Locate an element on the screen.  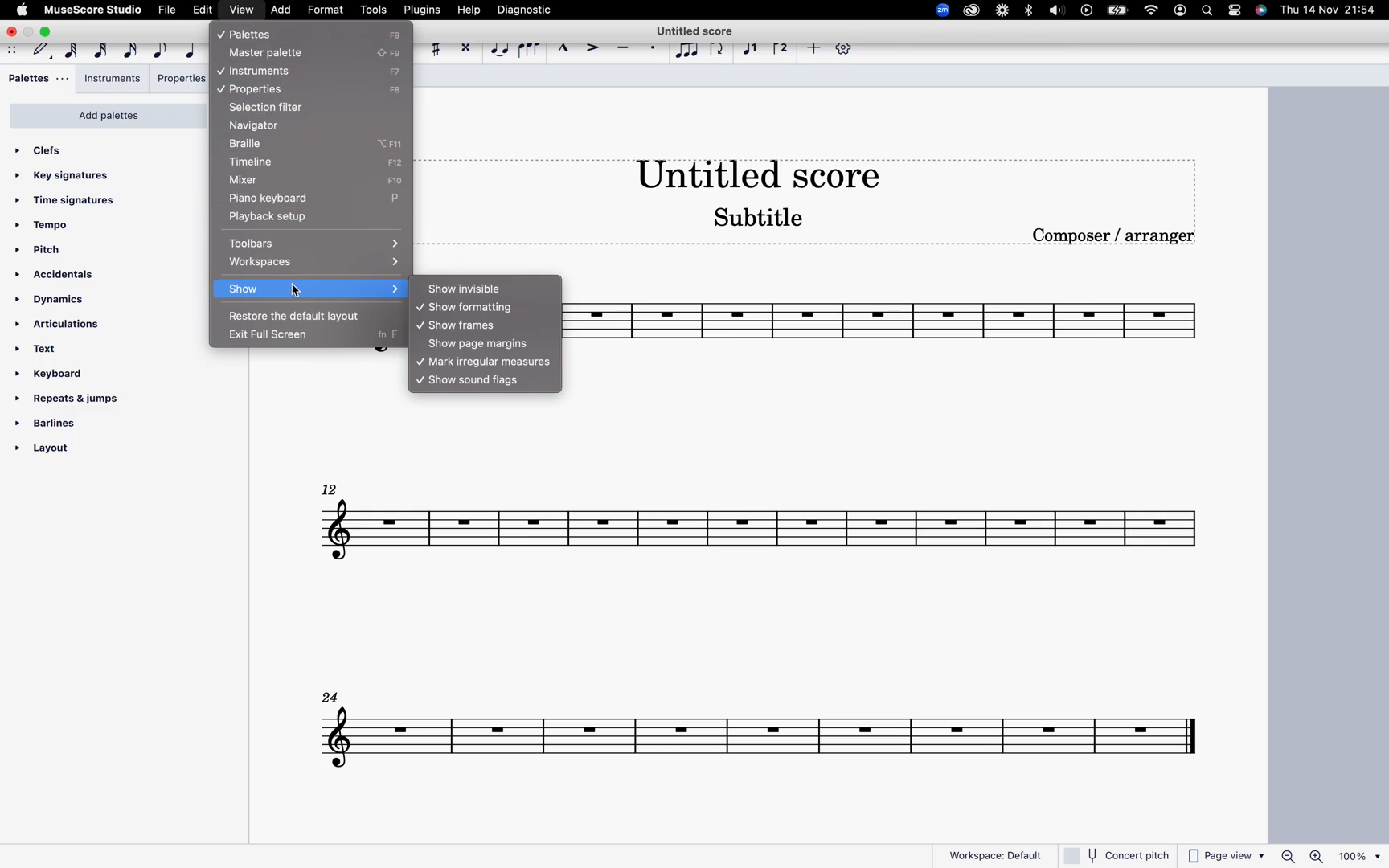
fn F is located at coordinates (385, 337).